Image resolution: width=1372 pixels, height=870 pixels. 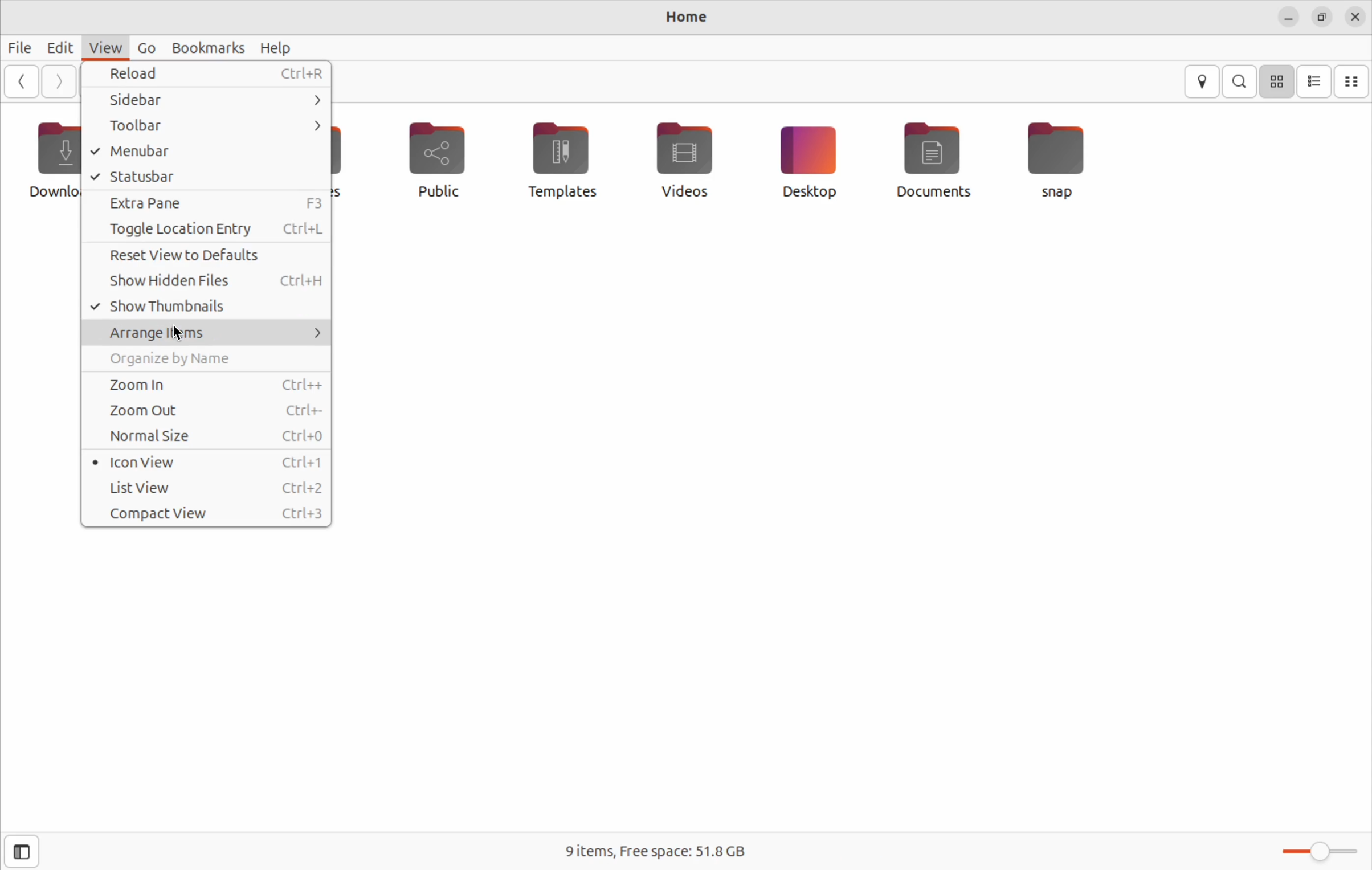 I want to click on search, so click(x=1241, y=81).